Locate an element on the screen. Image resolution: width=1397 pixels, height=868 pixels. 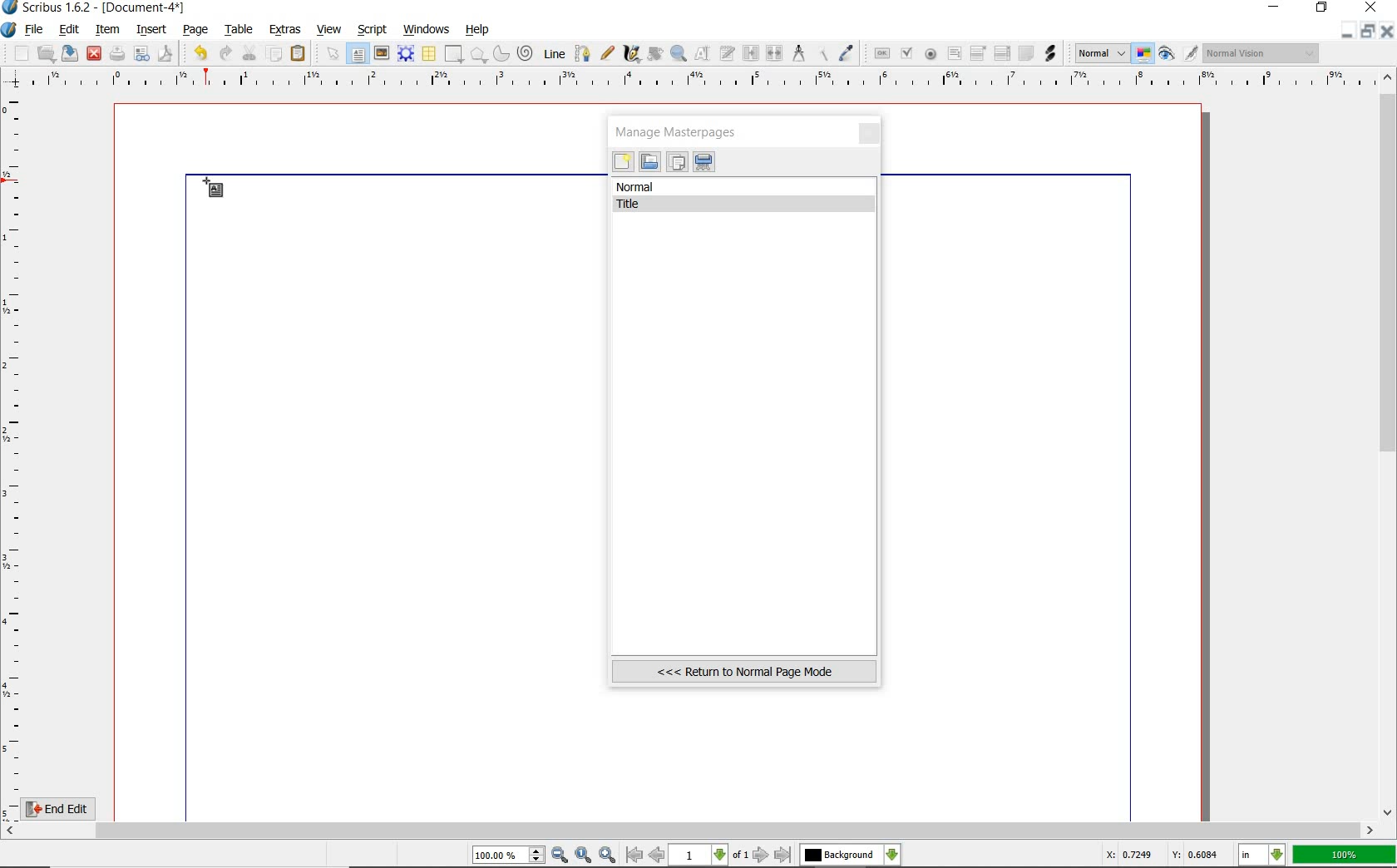
rotate item is located at coordinates (654, 55).